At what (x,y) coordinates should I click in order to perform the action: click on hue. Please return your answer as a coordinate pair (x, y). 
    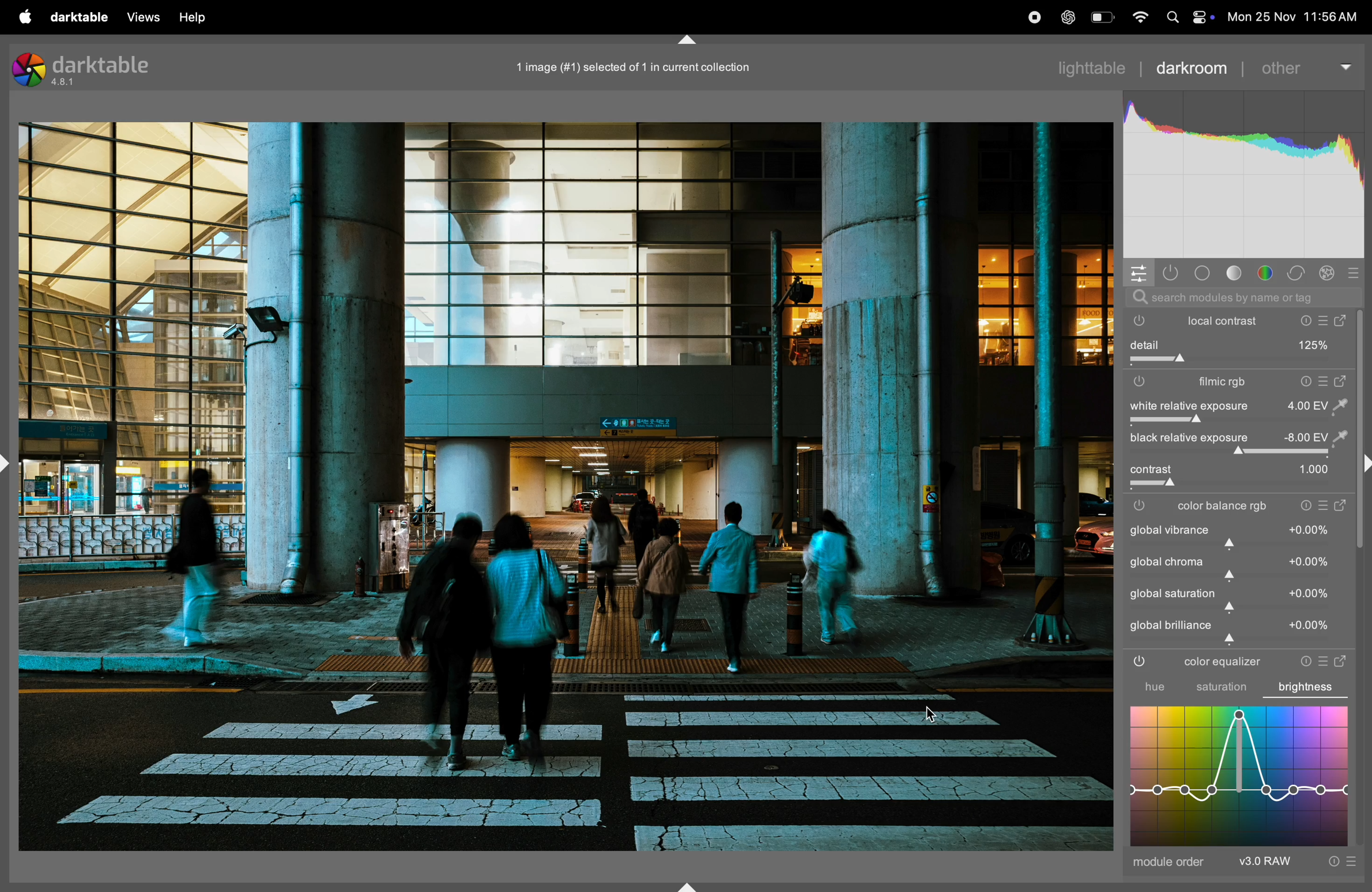
    Looking at the image, I should click on (1144, 687).